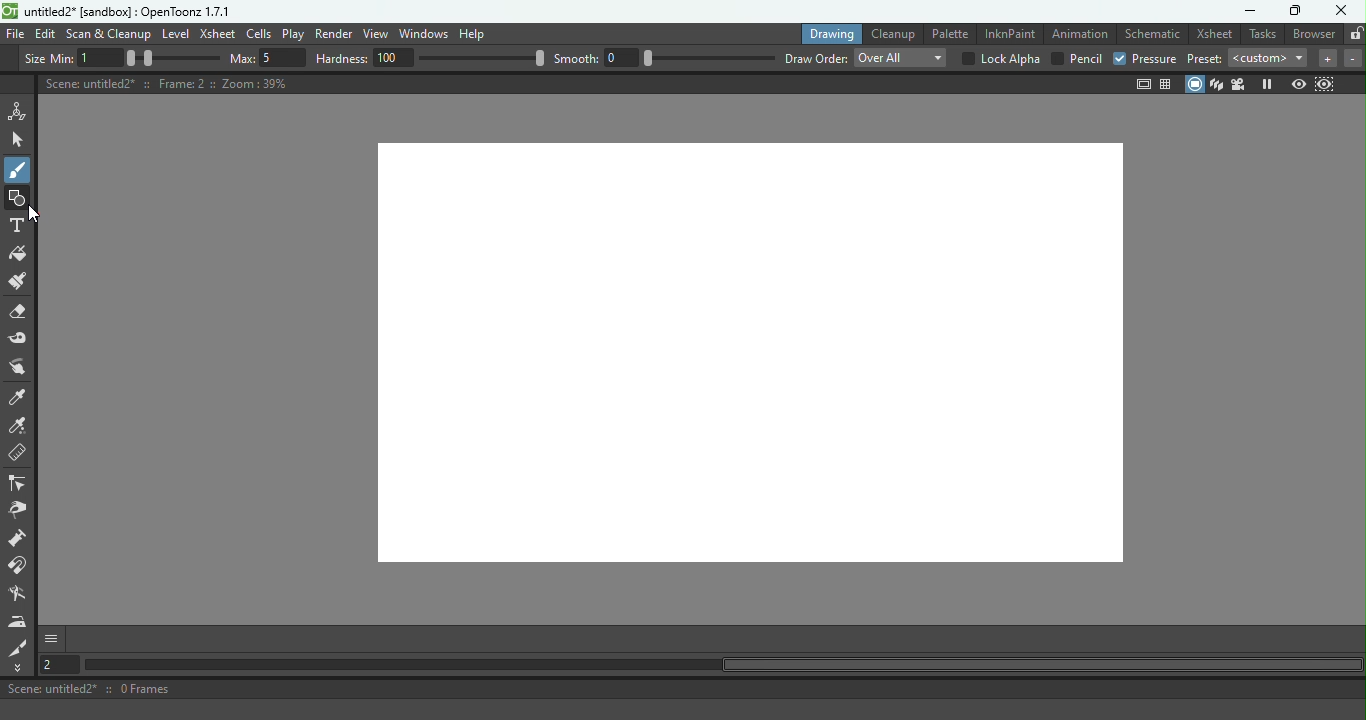 The width and height of the screenshot is (1366, 720). I want to click on Canvas, so click(762, 358).